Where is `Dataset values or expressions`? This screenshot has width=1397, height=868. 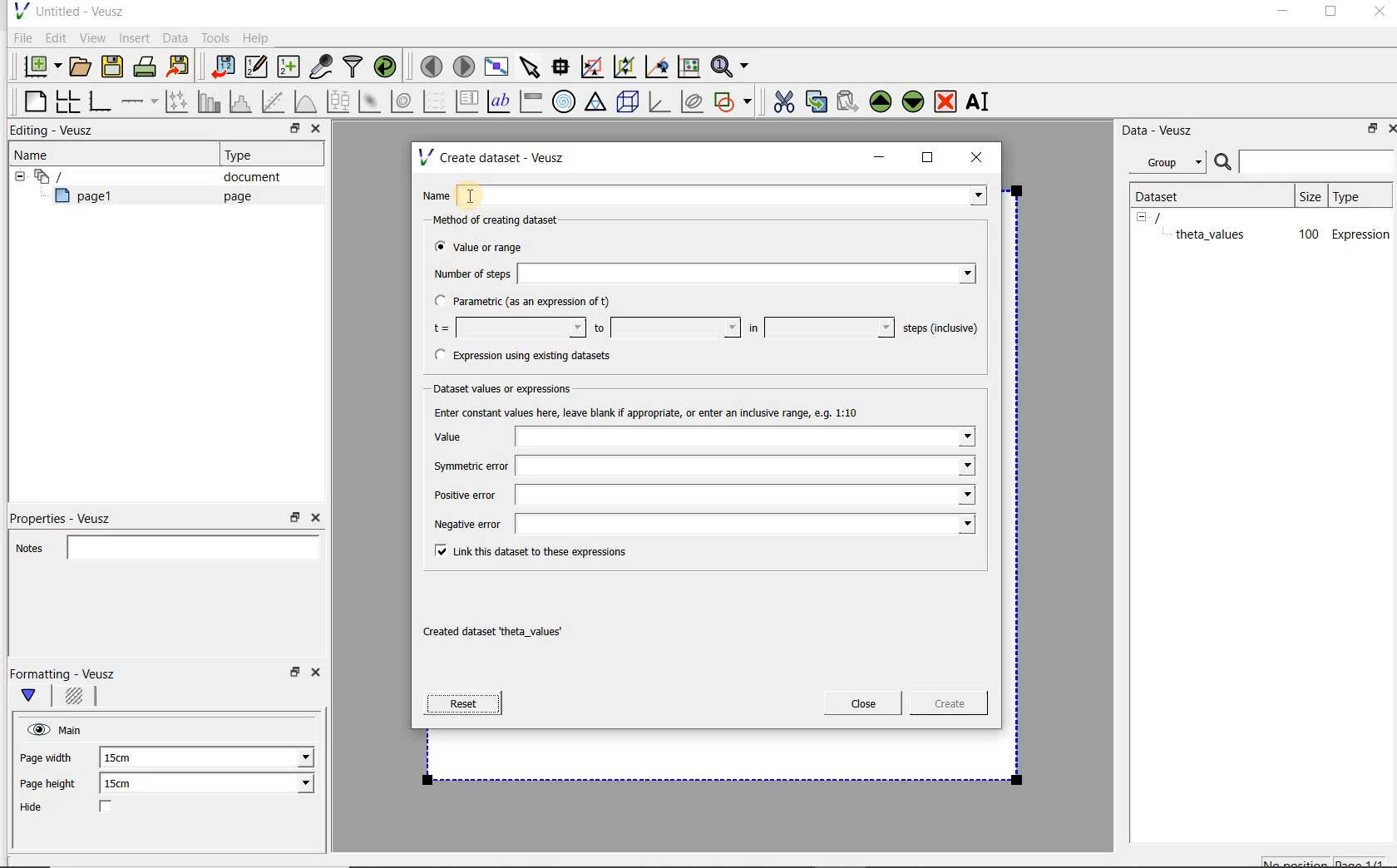 Dataset values or expressions is located at coordinates (512, 387).